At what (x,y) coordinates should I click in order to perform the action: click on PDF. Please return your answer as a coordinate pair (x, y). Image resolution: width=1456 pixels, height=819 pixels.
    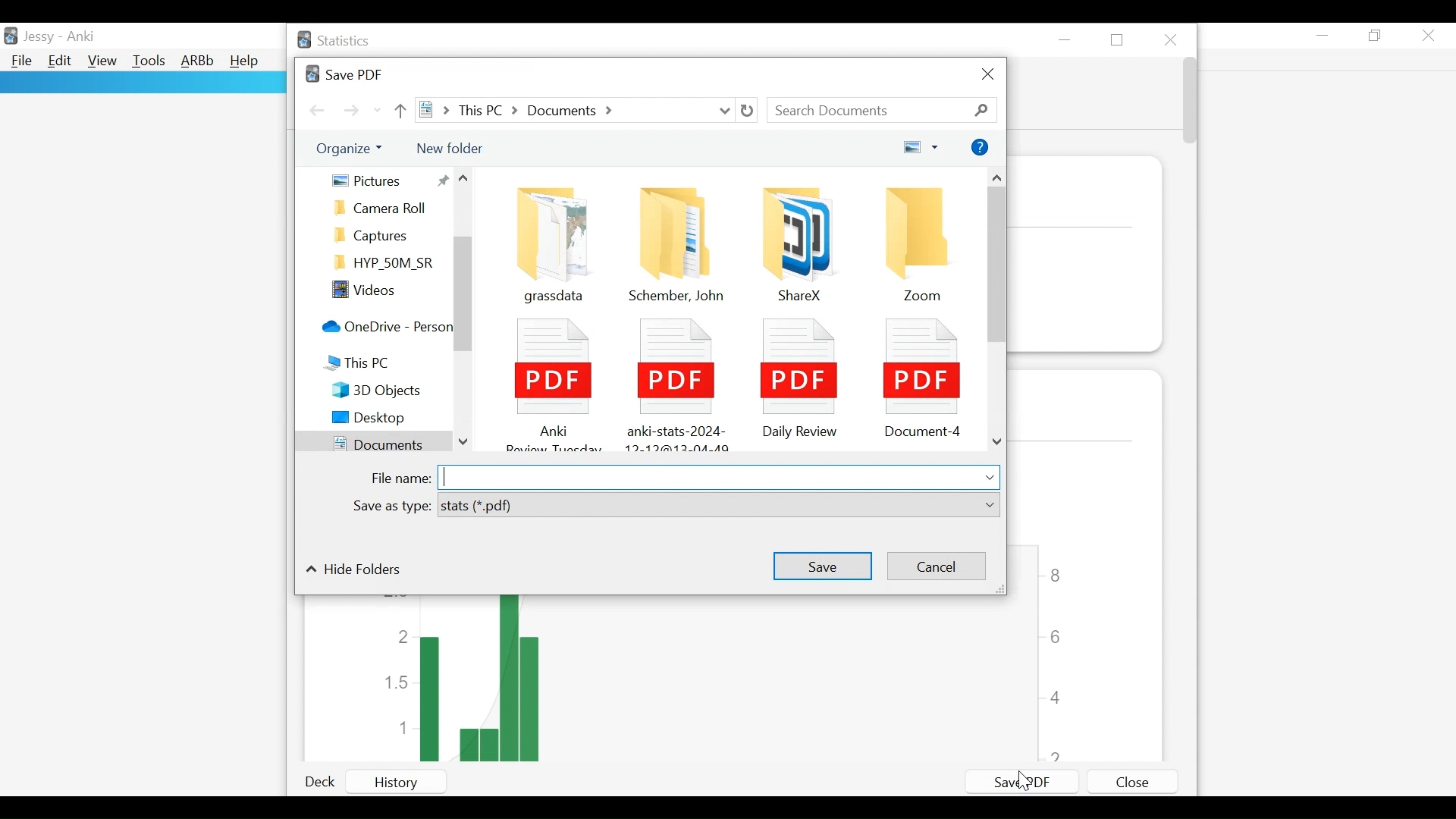
    Looking at the image, I should click on (550, 380).